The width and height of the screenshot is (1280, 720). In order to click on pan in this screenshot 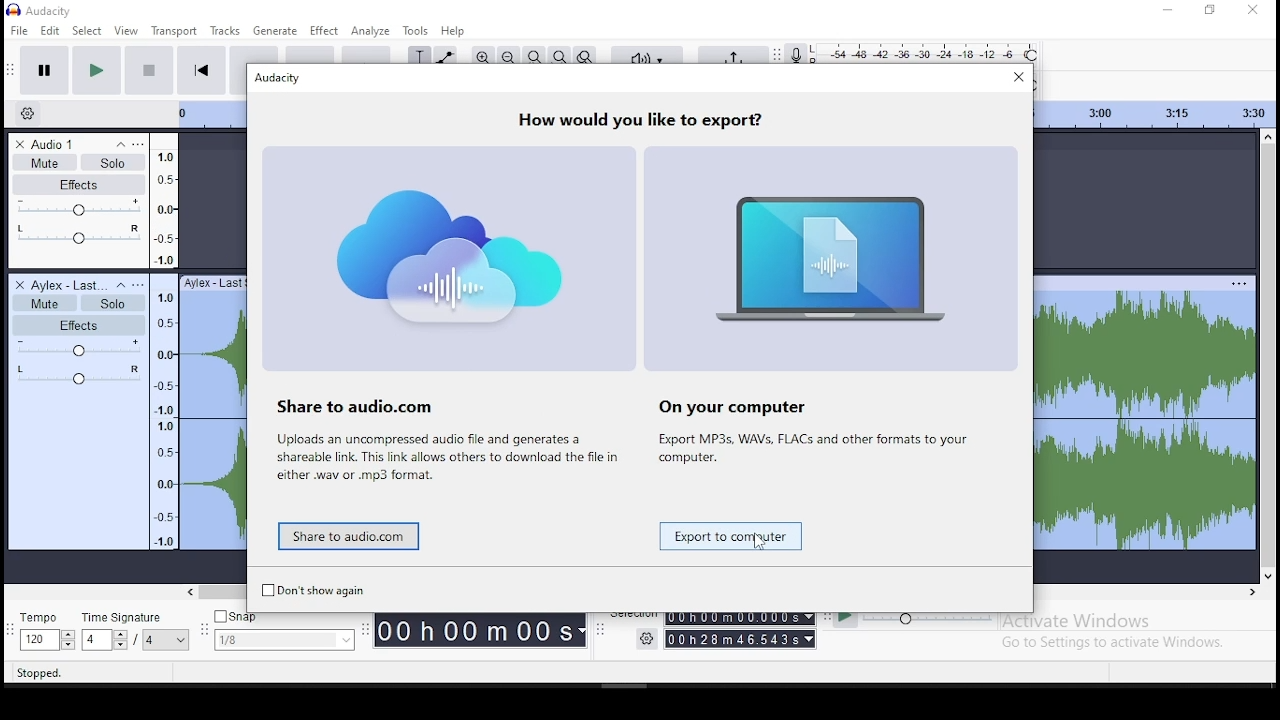, I will do `click(78, 237)`.